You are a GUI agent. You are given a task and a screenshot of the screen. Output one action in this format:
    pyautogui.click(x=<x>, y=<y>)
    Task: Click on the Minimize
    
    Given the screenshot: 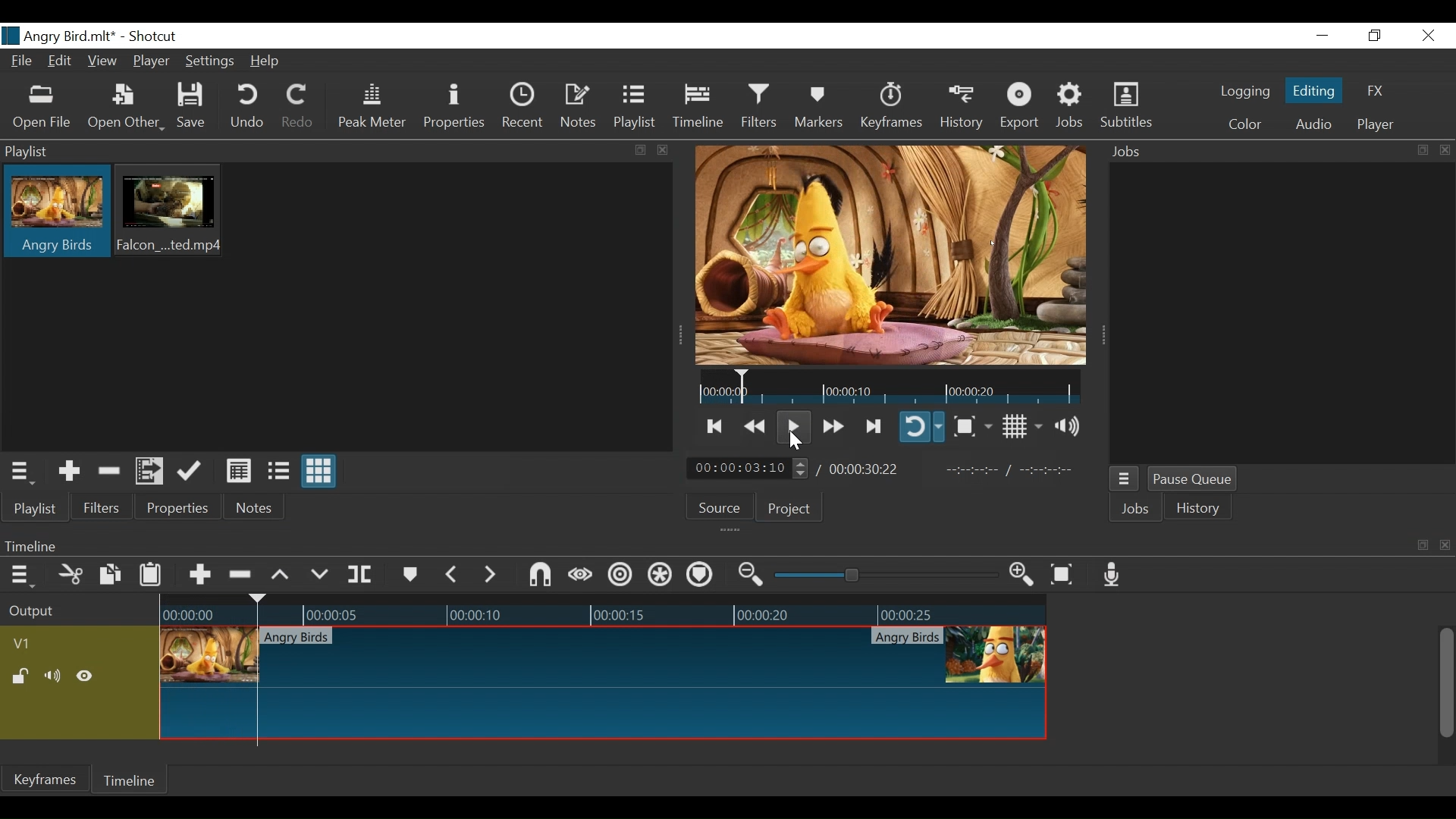 What is the action you would take?
    pyautogui.click(x=1323, y=36)
    